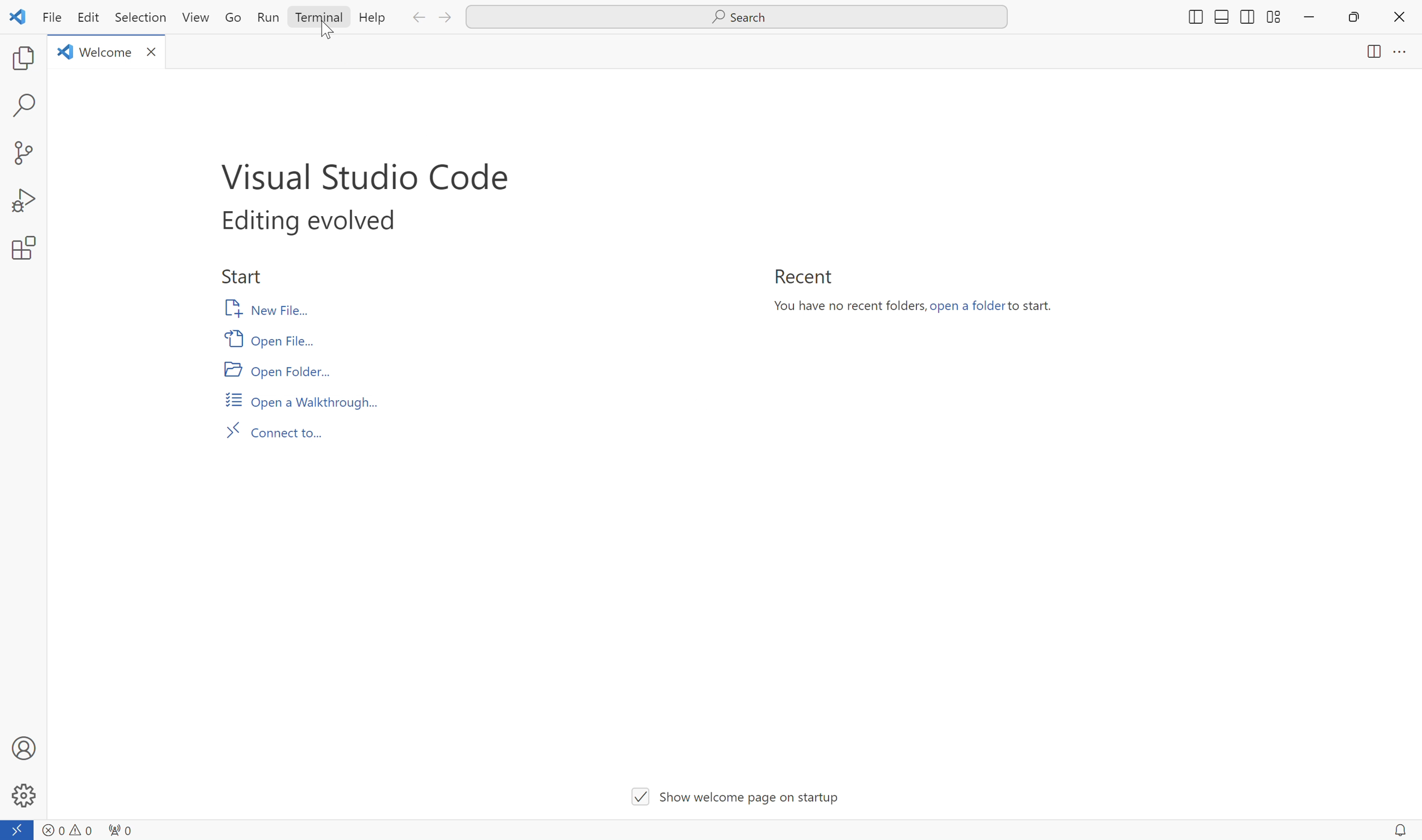  I want to click on Editing evolved, so click(306, 222).